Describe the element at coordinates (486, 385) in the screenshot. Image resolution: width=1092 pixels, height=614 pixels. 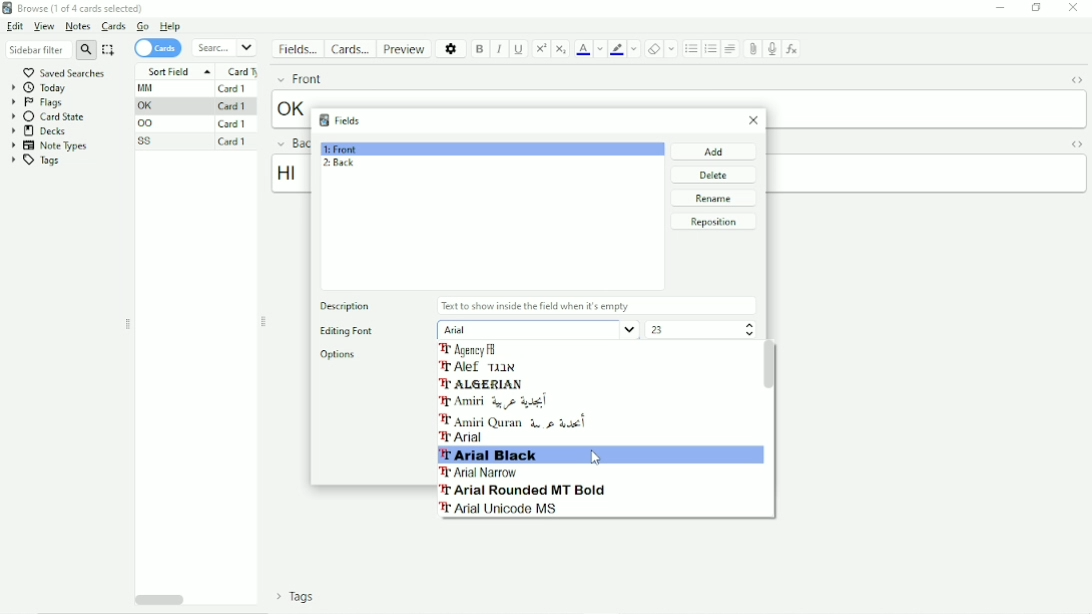
I see `ALGERIAN` at that location.